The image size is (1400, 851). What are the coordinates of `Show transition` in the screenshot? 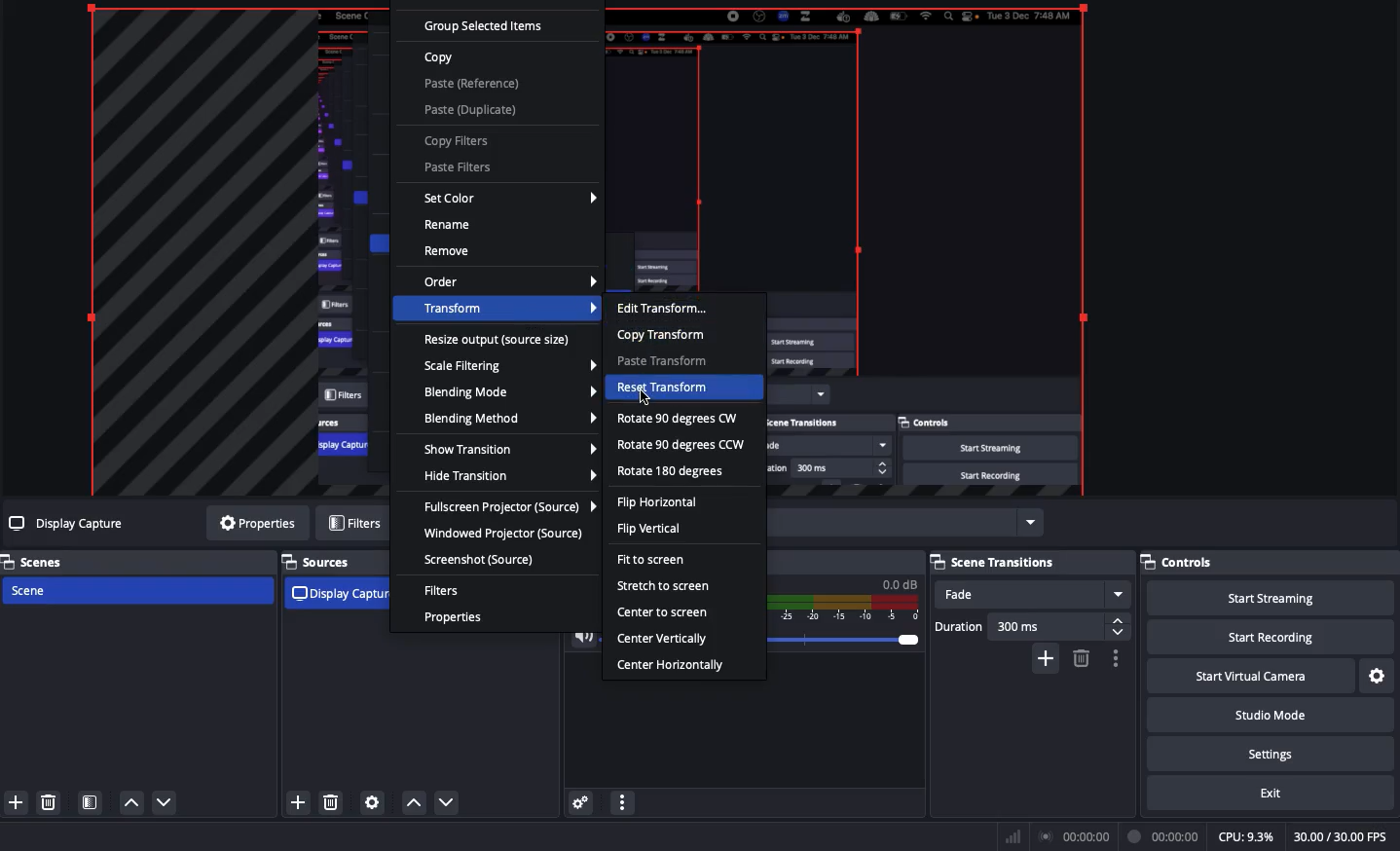 It's located at (511, 451).